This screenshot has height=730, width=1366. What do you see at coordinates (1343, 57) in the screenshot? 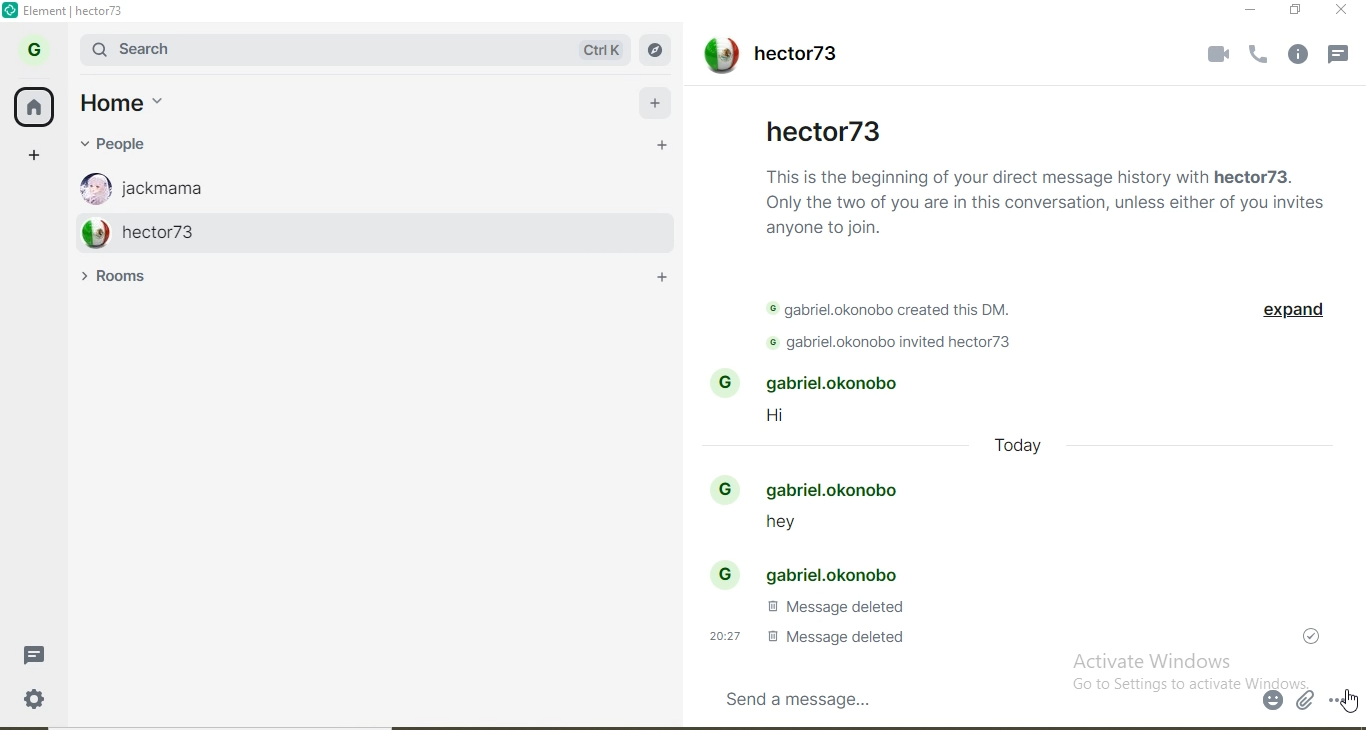
I see `notifications` at bounding box center [1343, 57].